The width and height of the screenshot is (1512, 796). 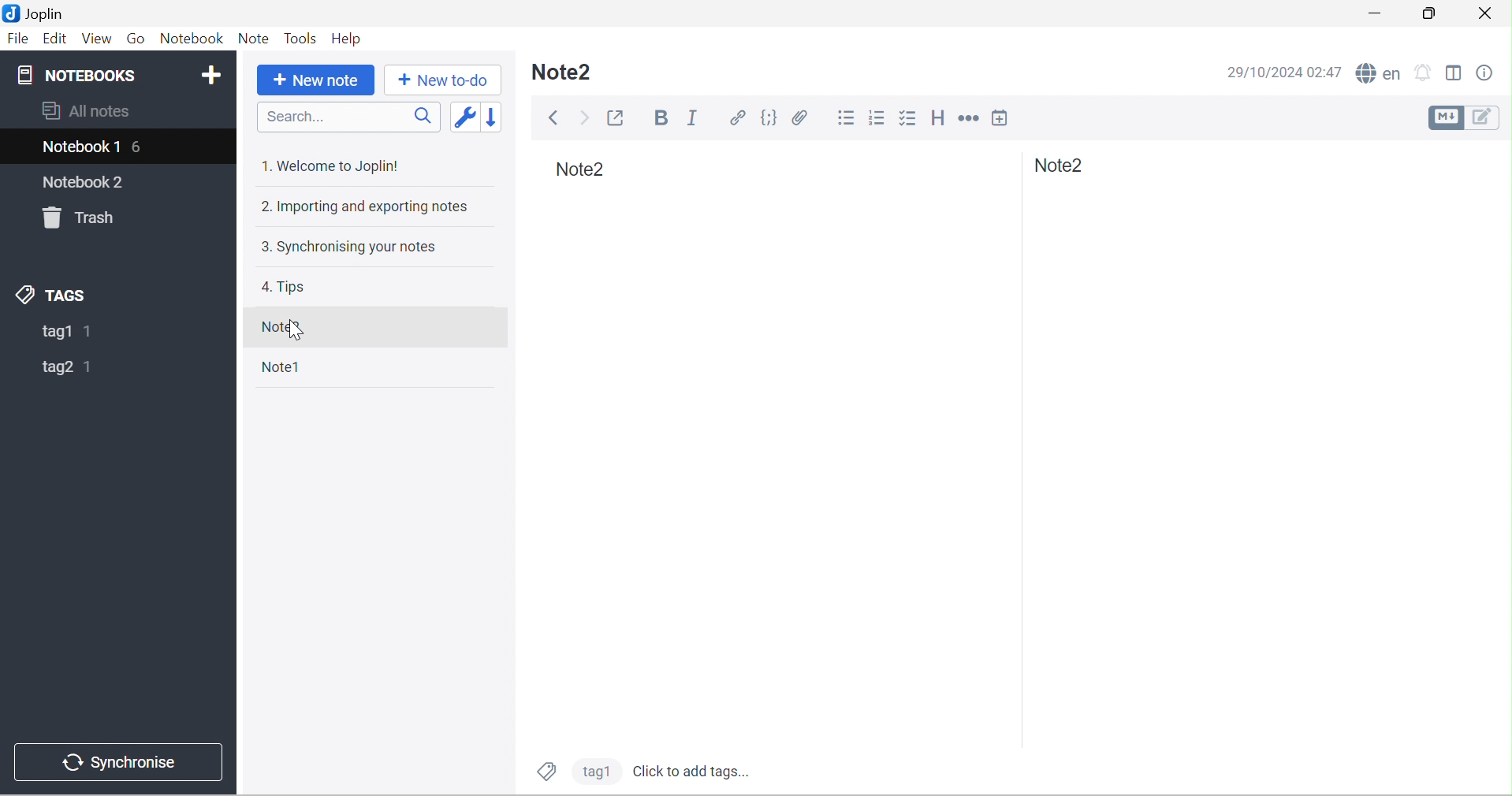 What do you see at coordinates (968, 117) in the screenshot?
I see `Horizontal rule` at bounding box center [968, 117].